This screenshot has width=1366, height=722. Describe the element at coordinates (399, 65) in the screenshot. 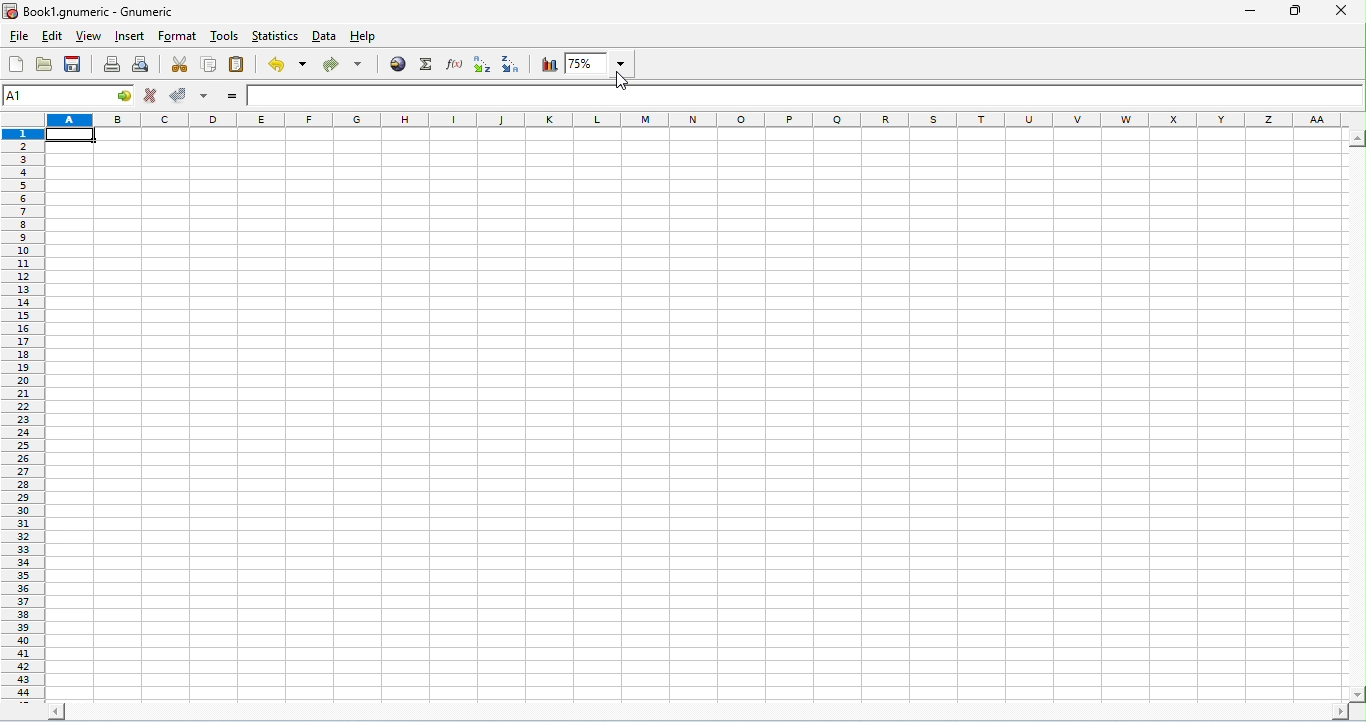

I see `insert hyperlink` at that location.